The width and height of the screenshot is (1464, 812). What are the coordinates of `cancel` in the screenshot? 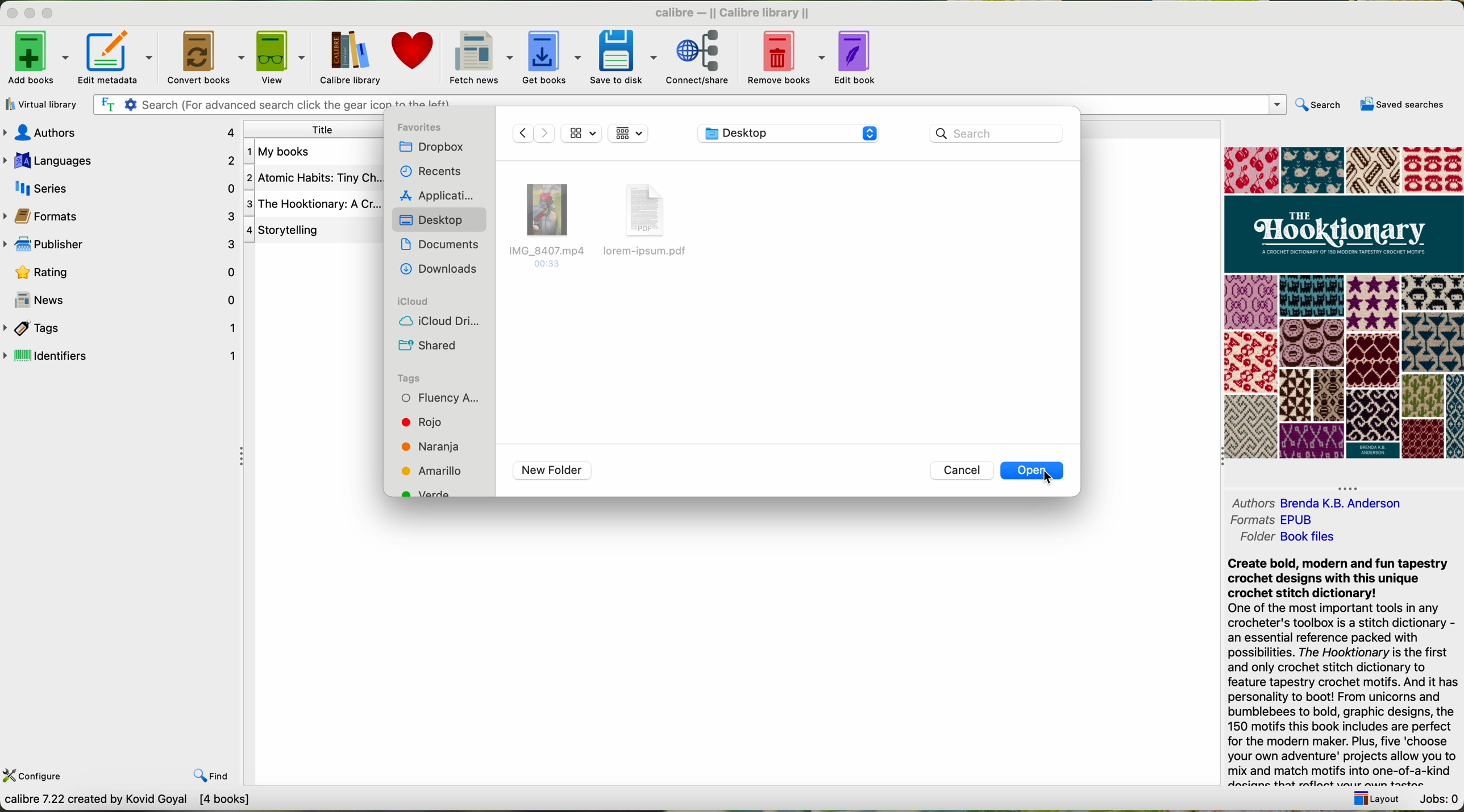 It's located at (963, 471).